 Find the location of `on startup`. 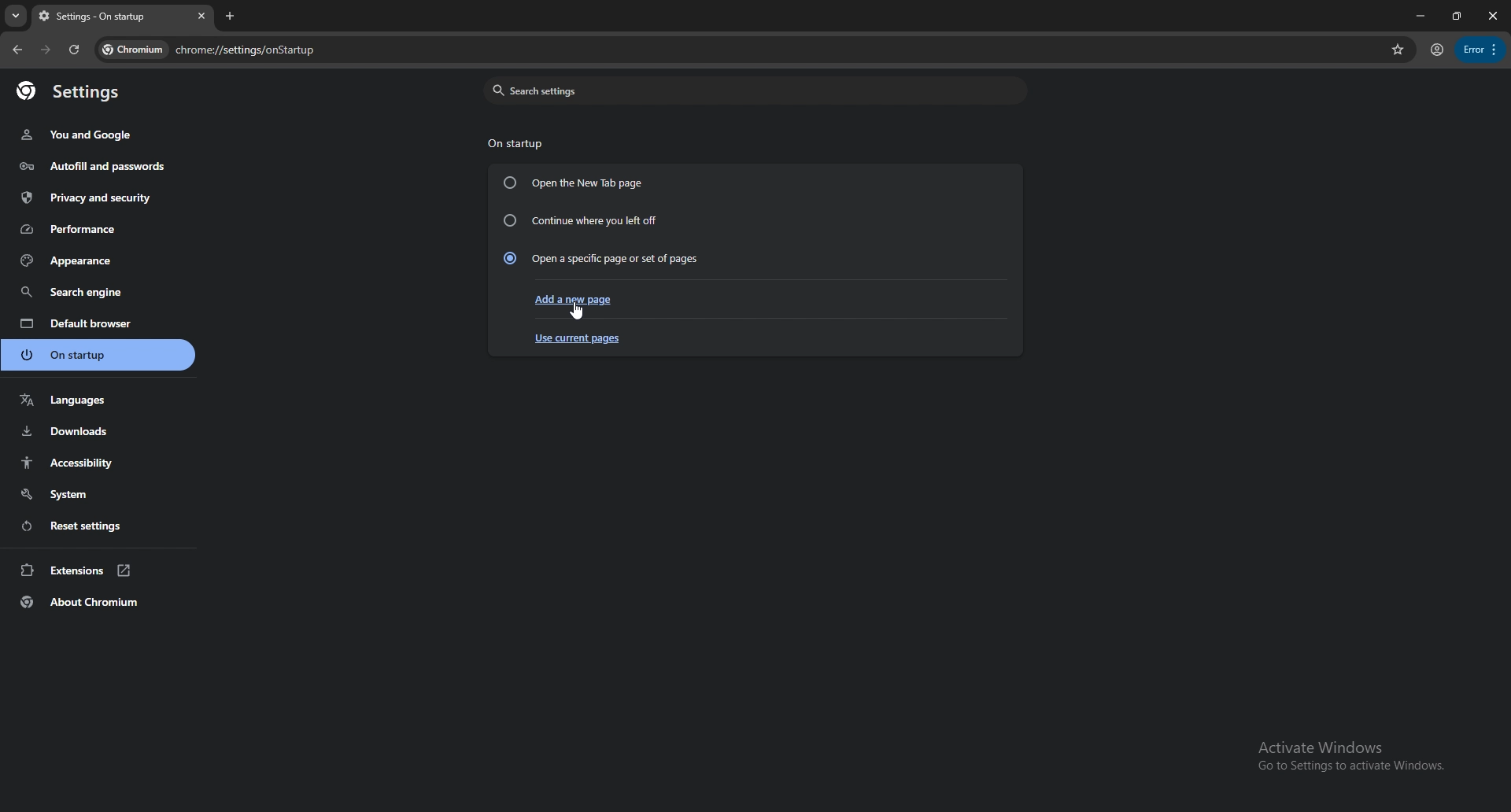

on startup is located at coordinates (100, 354).